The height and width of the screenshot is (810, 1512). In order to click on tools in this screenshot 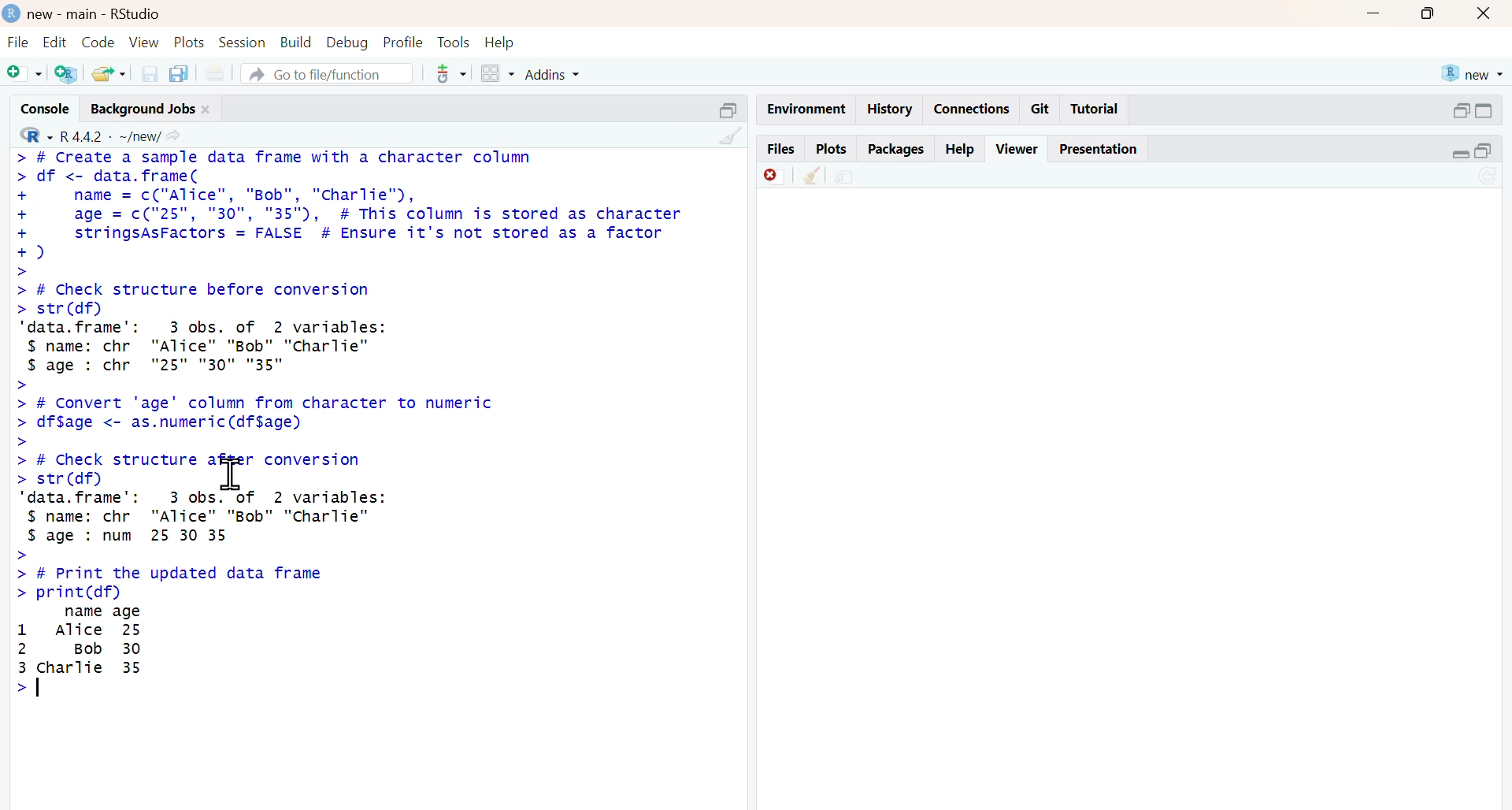, I will do `click(457, 43)`.